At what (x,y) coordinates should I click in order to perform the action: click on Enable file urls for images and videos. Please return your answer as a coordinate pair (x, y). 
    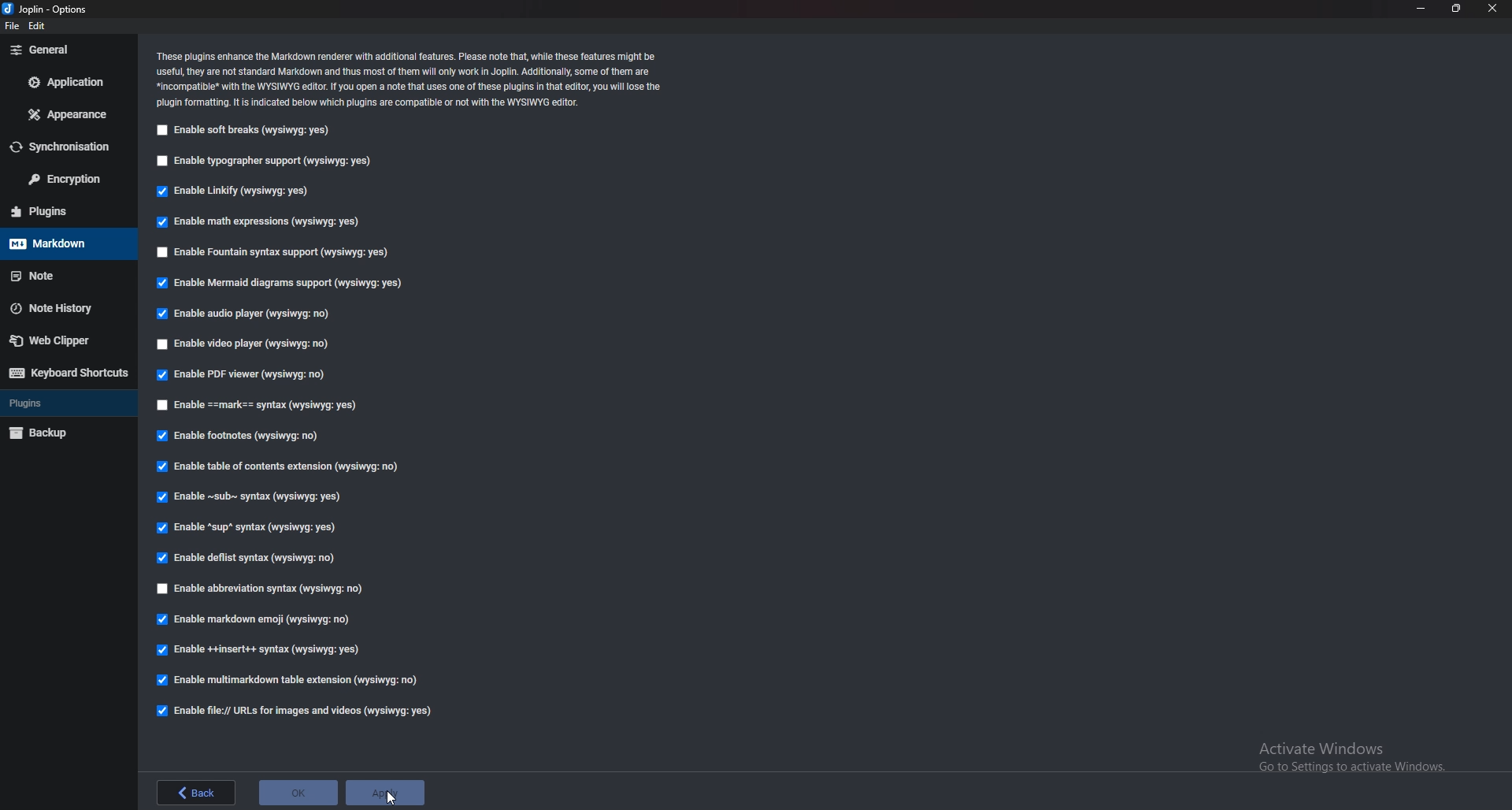
    Looking at the image, I should click on (303, 712).